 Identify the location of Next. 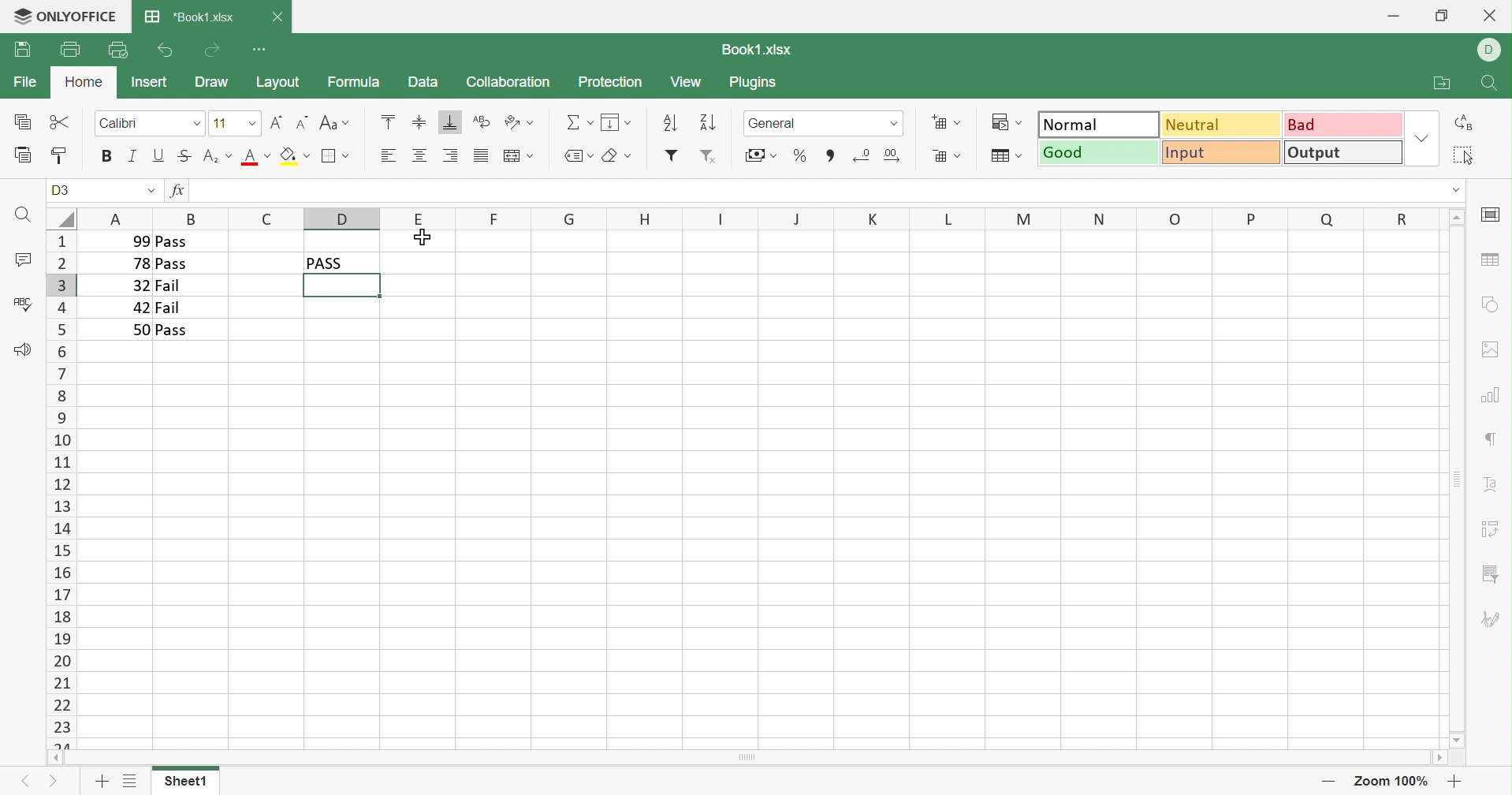
(24, 782).